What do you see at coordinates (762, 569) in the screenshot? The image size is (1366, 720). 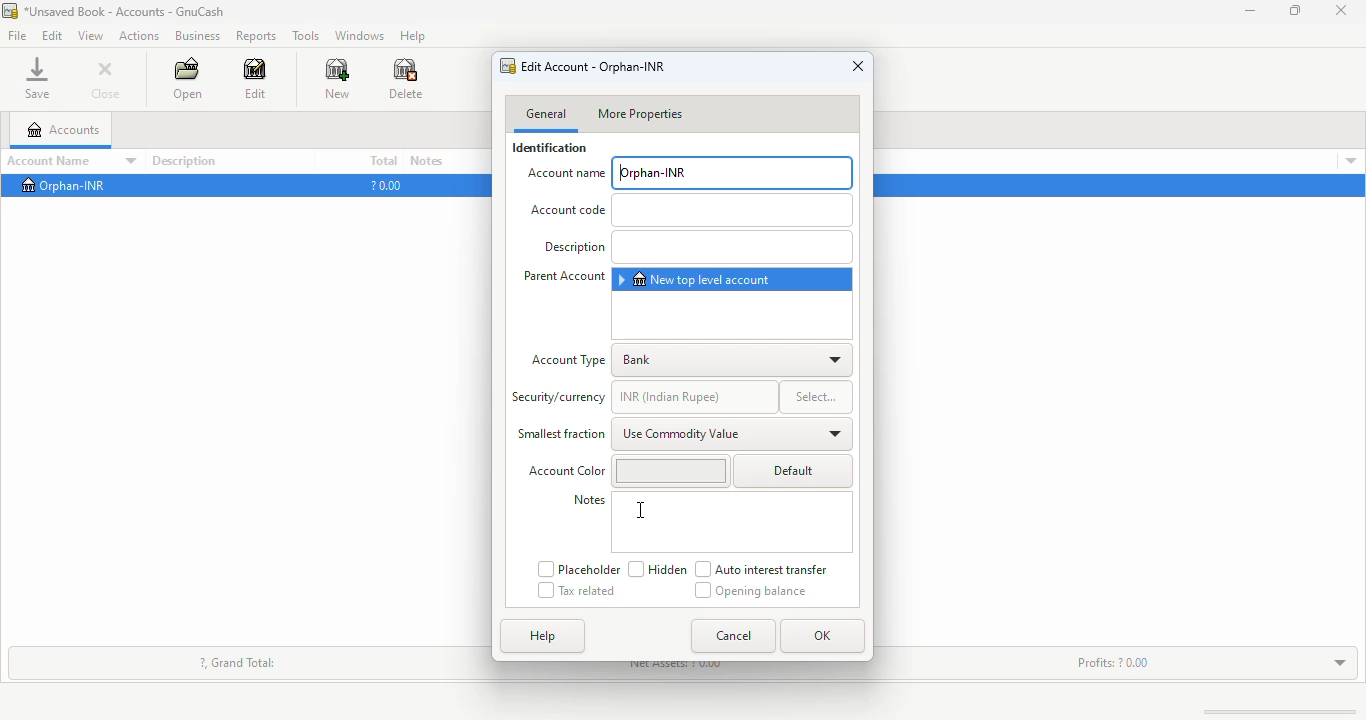 I see `auto interest transfer` at bounding box center [762, 569].